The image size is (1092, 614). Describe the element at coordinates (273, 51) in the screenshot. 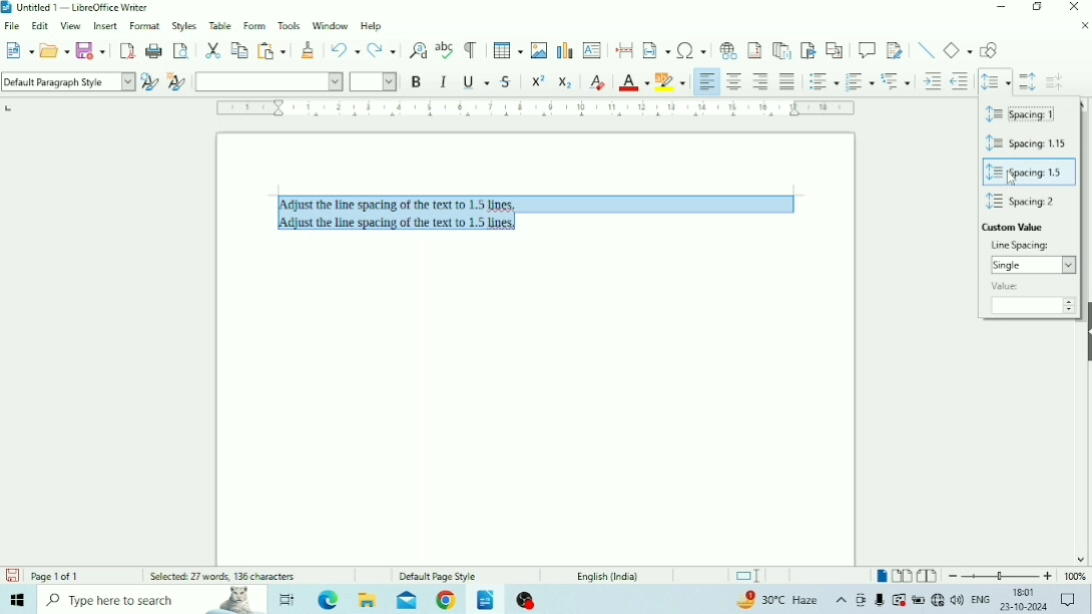

I see `Paste` at that location.